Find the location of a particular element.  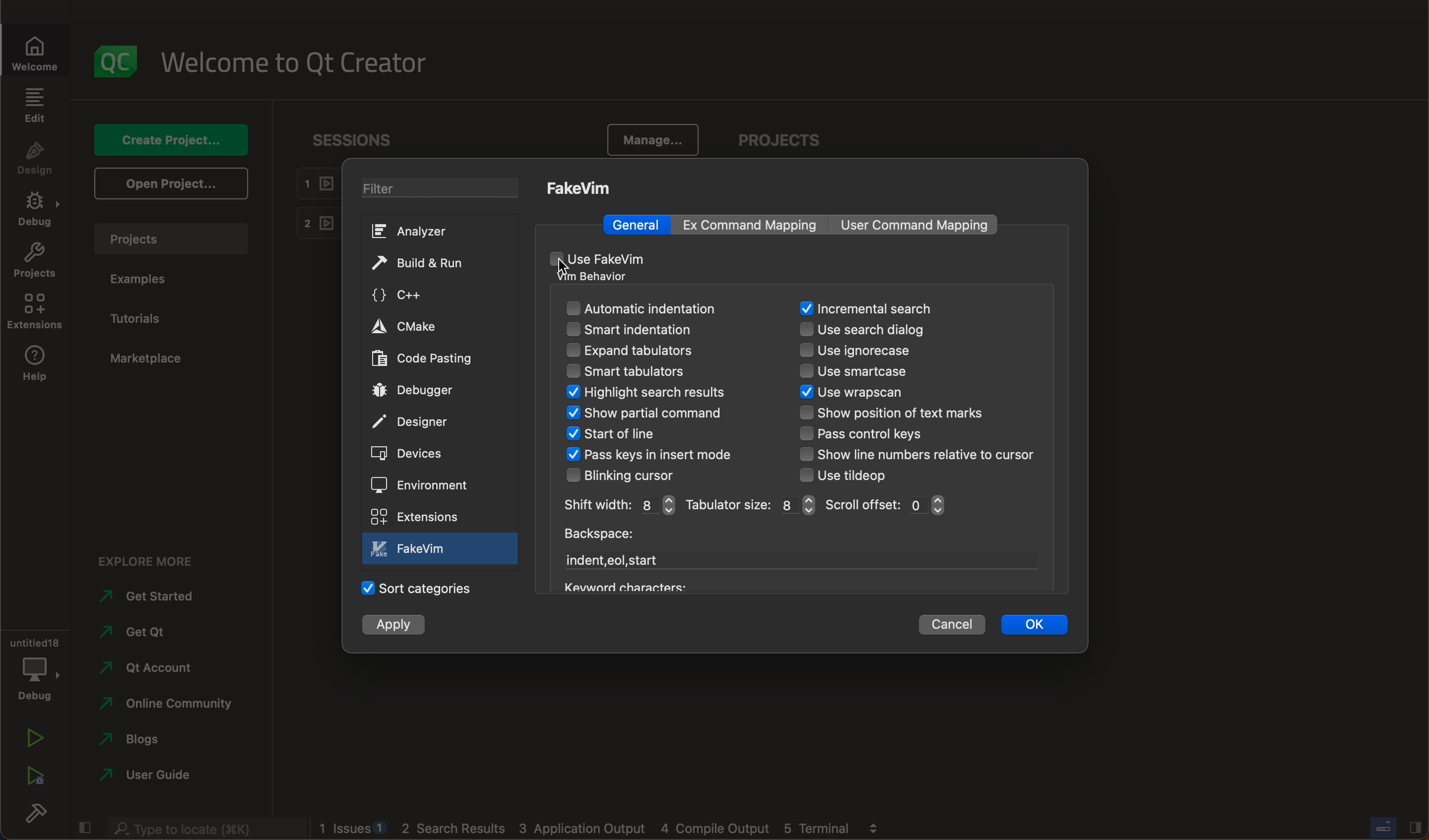

fakeVim is located at coordinates (582, 188).